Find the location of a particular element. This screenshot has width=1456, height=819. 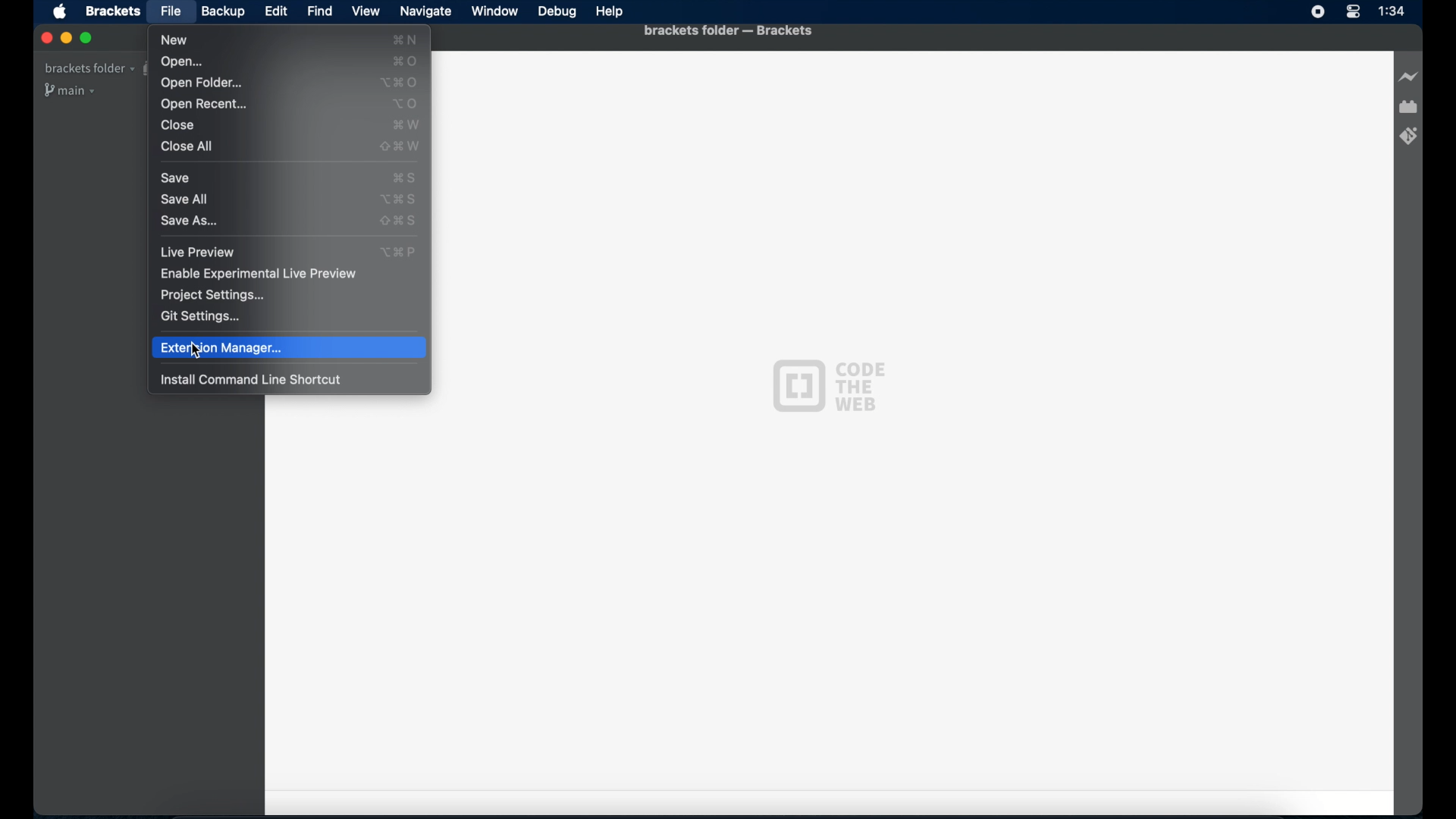

Brackets folder - Brackets is located at coordinates (703, 30).